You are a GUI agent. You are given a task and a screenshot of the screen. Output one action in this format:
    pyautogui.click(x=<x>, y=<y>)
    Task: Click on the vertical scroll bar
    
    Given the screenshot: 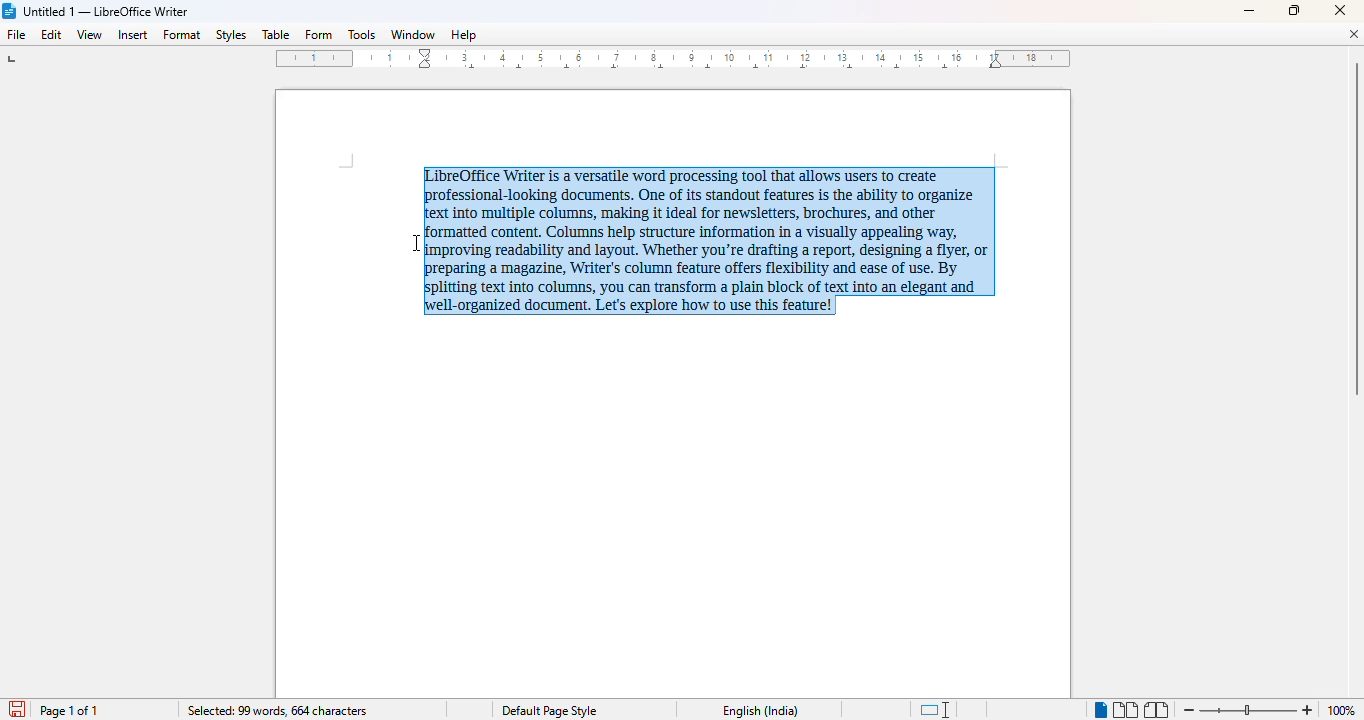 What is the action you would take?
    pyautogui.click(x=1355, y=229)
    